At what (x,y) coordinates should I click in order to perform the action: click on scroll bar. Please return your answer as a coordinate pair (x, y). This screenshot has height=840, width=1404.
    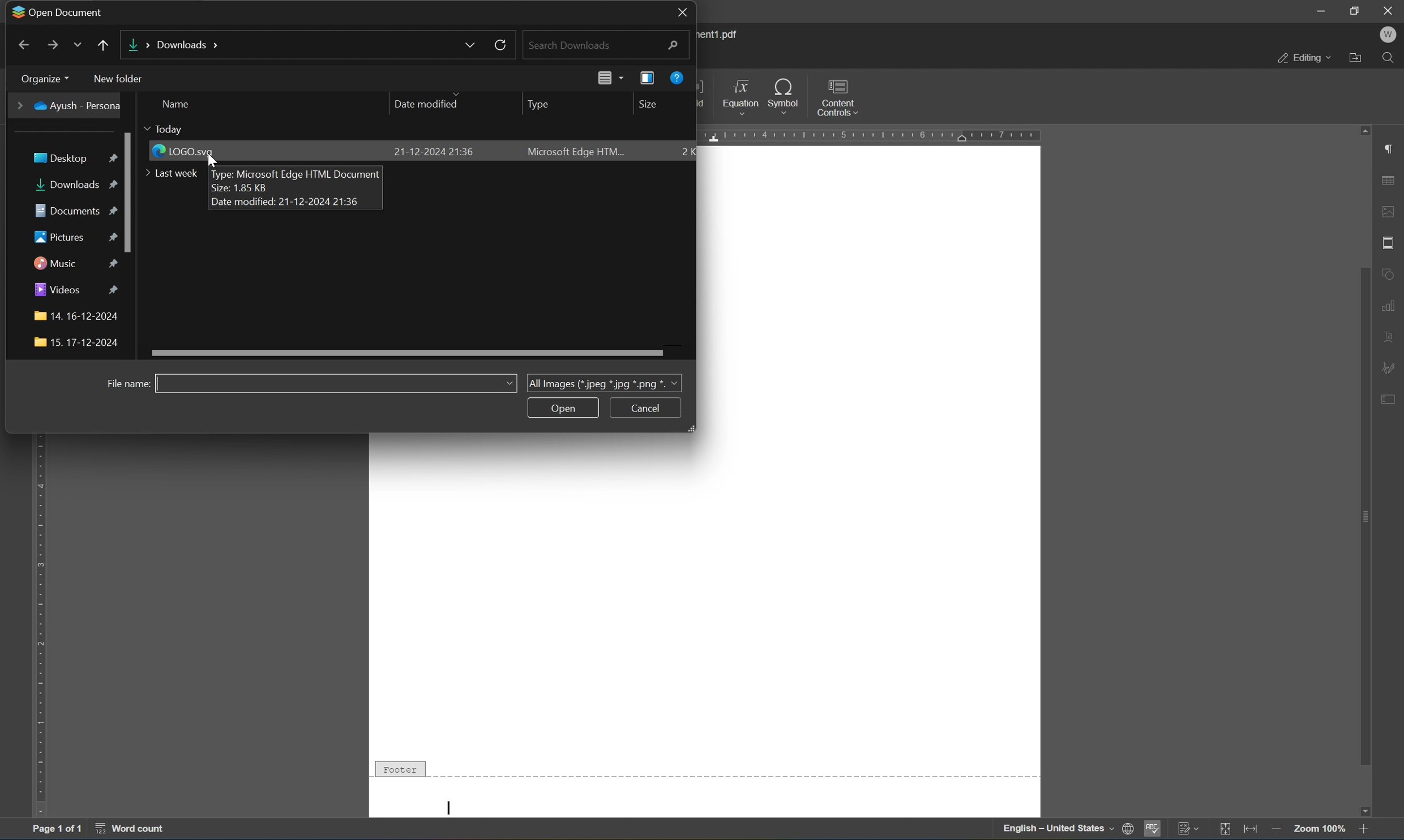
    Looking at the image, I should click on (131, 194).